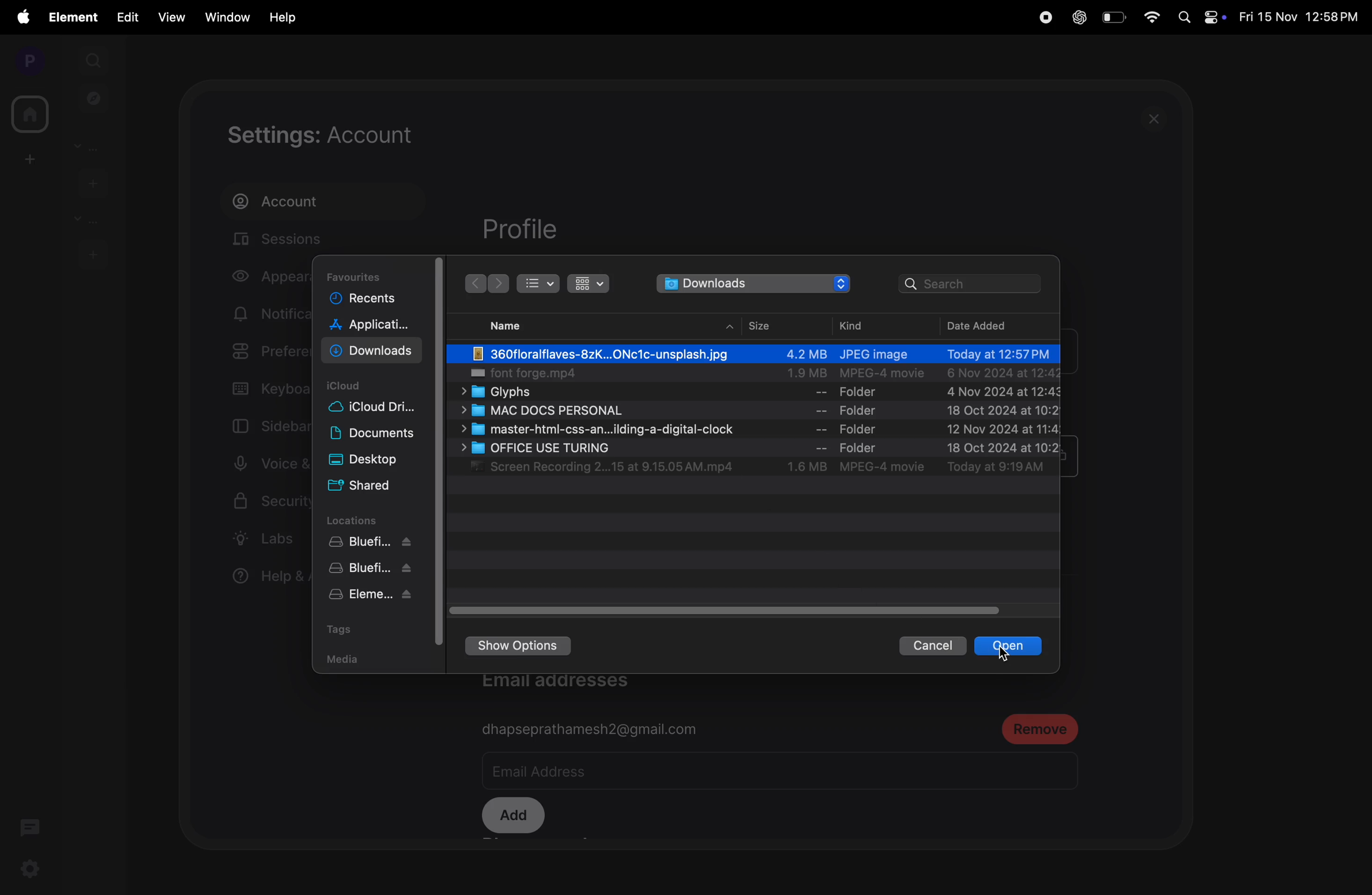  I want to click on battery, so click(1113, 17).